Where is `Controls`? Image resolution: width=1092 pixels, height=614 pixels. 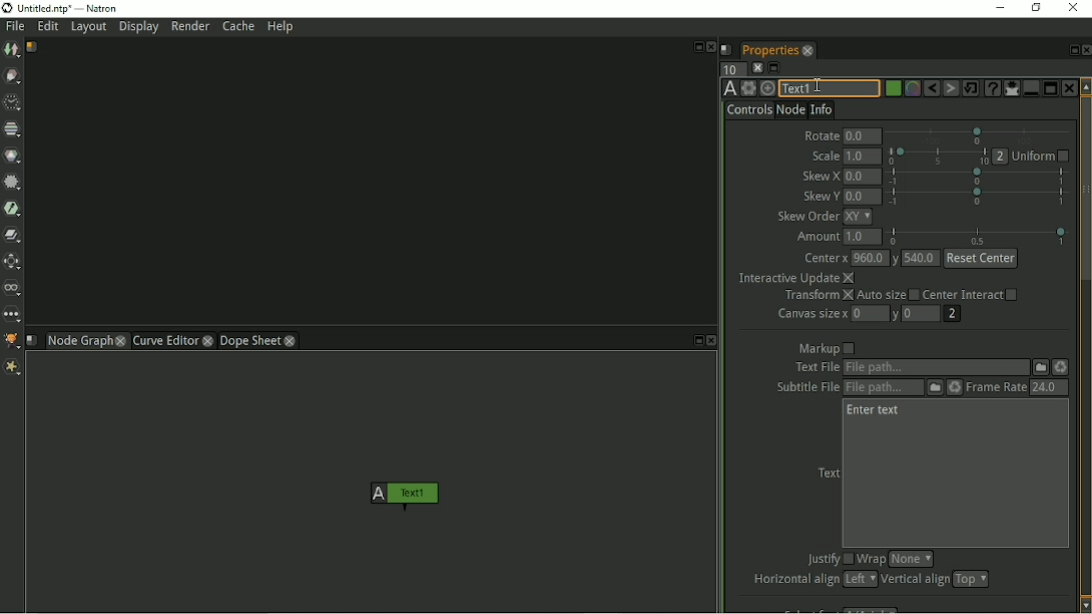
Controls is located at coordinates (749, 110).